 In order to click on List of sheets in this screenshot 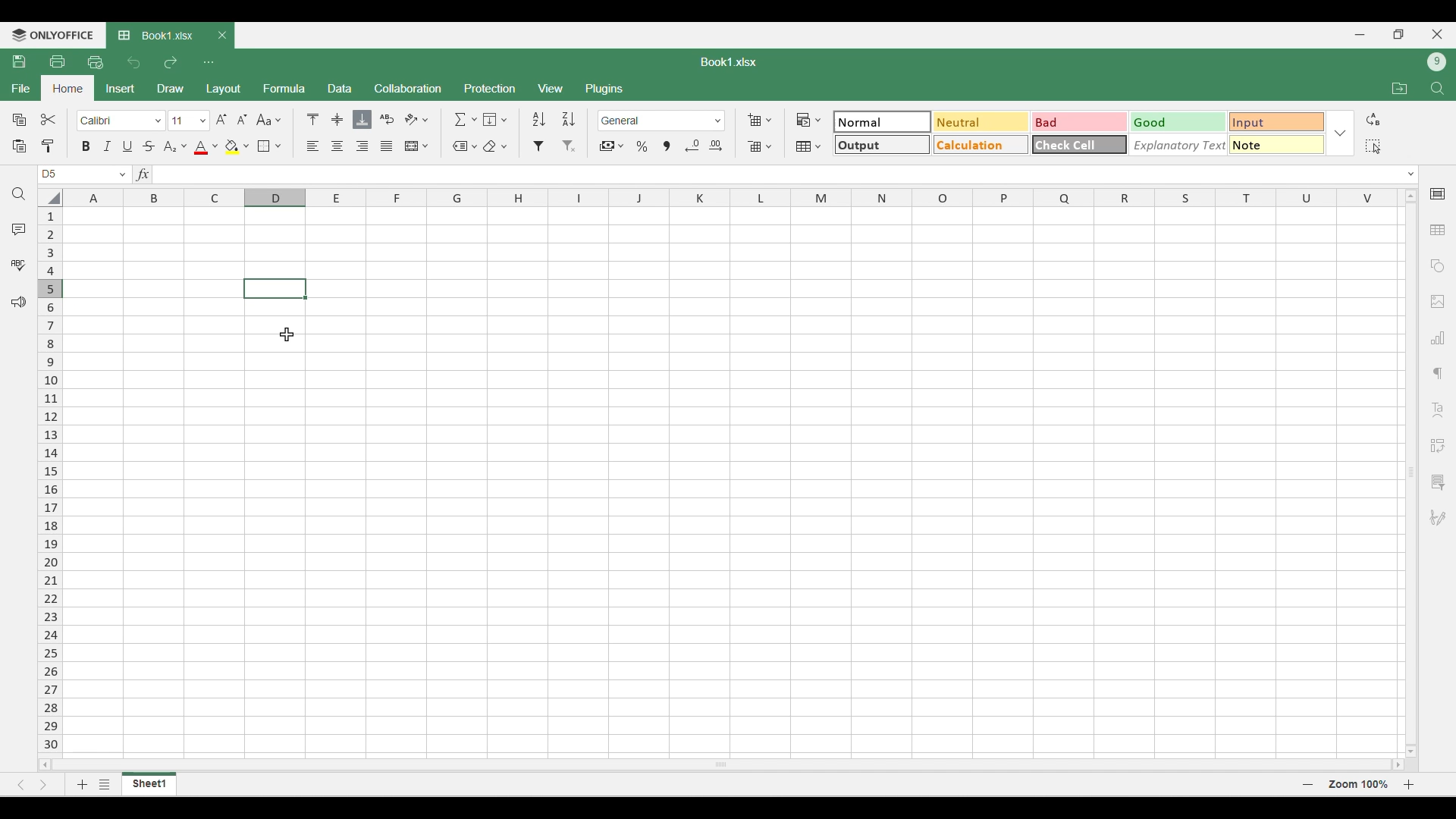, I will do `click(105, 784)`.